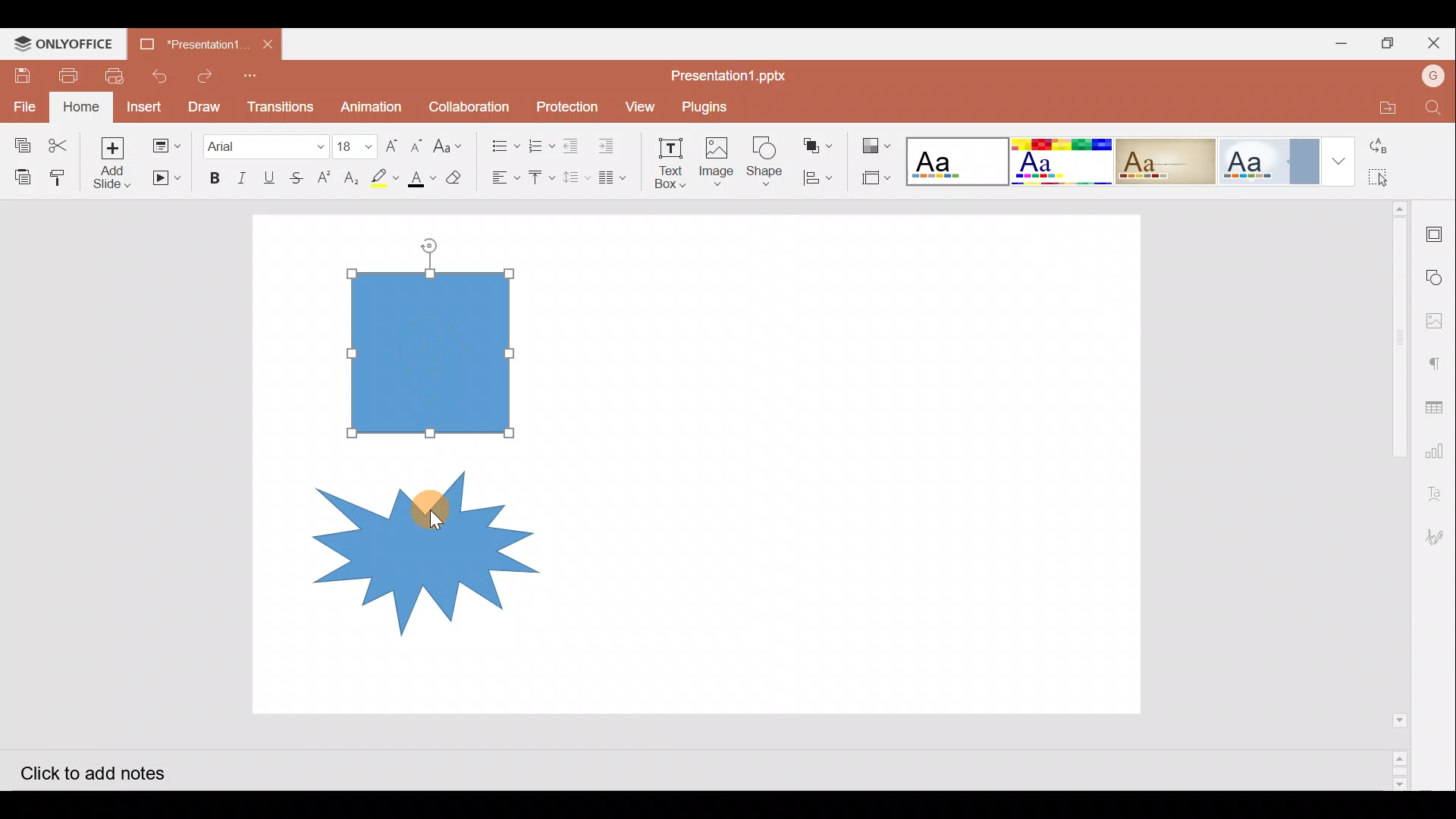  I want to click on Select all, so click(1389, 178).